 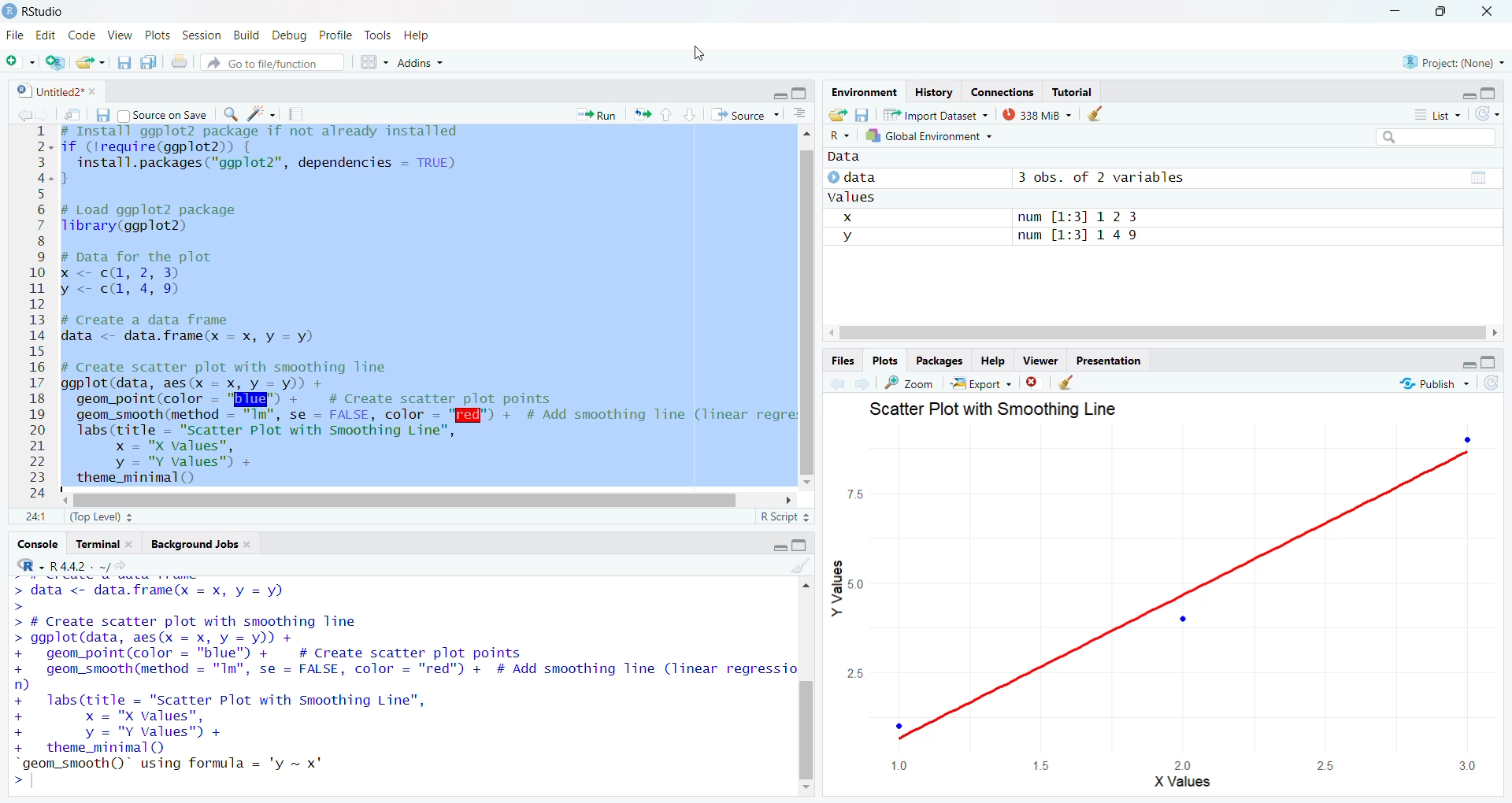 What do you see at coordinates (802, 91) in the screenshot?
I see `hide console` at bounding box center [802, 91].